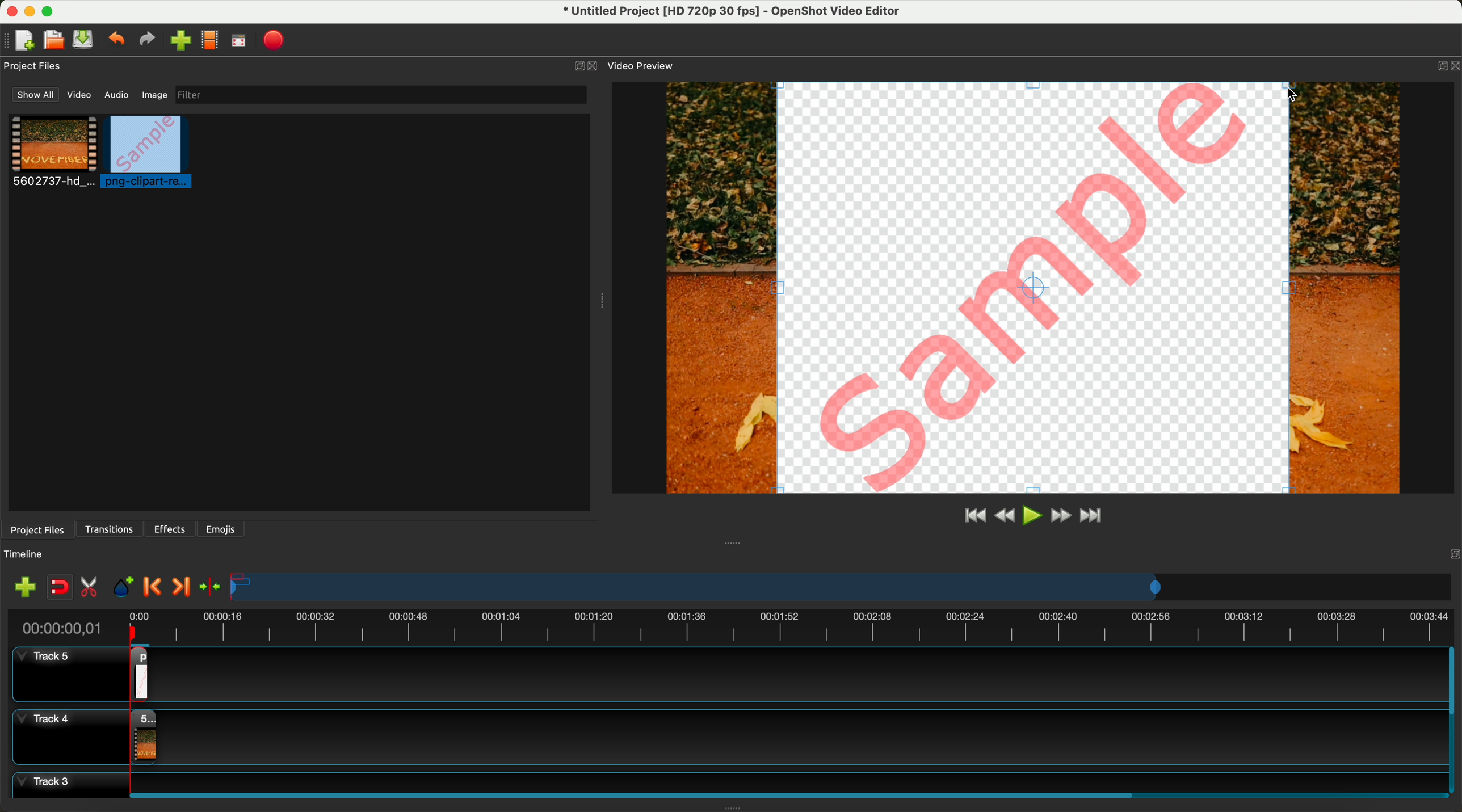 This screenshot has width=1462, height=812. I want to click on video preview, so click(640, 66).